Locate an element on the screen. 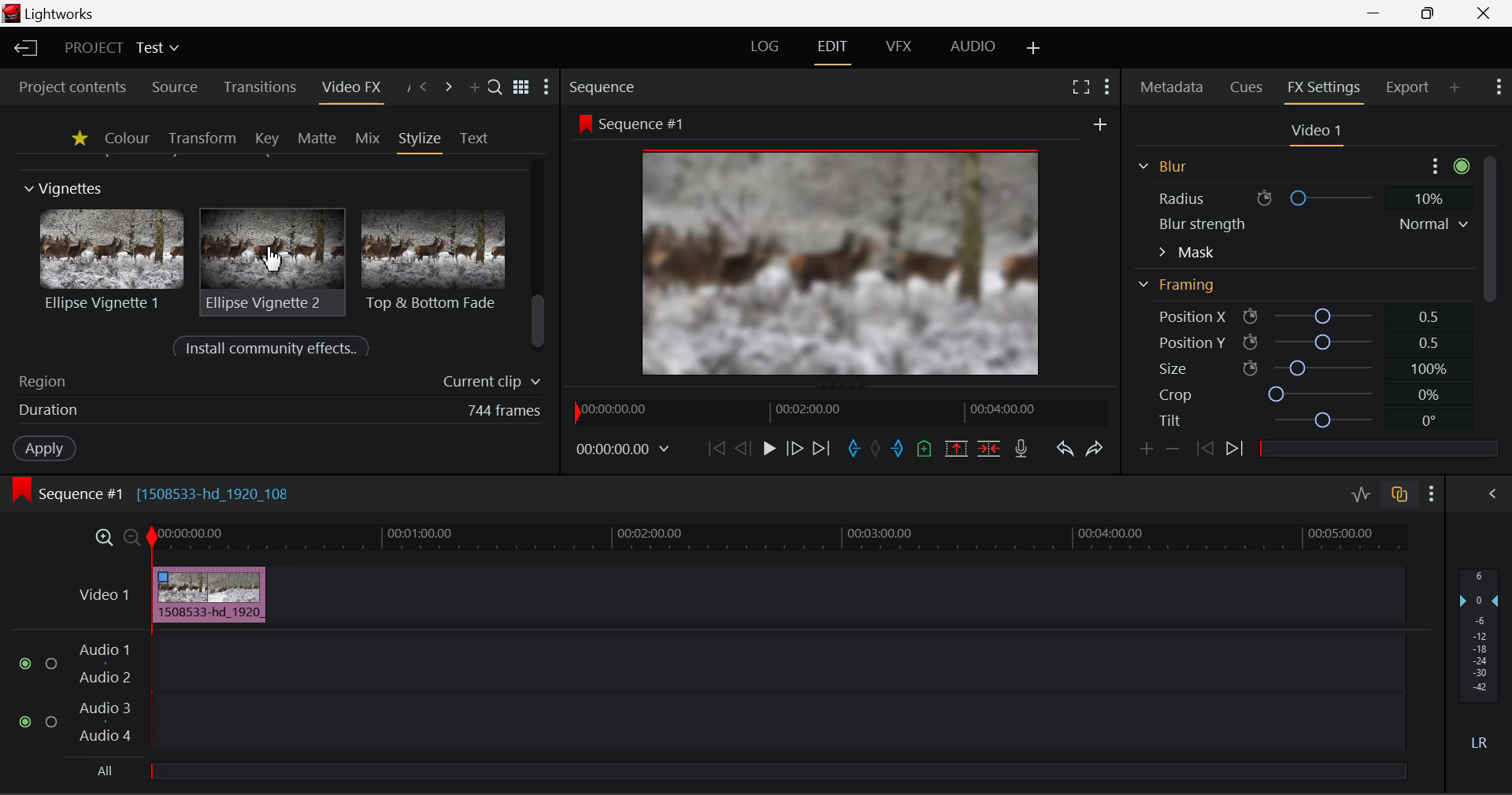  more options is located at coordinates (1446, 164).